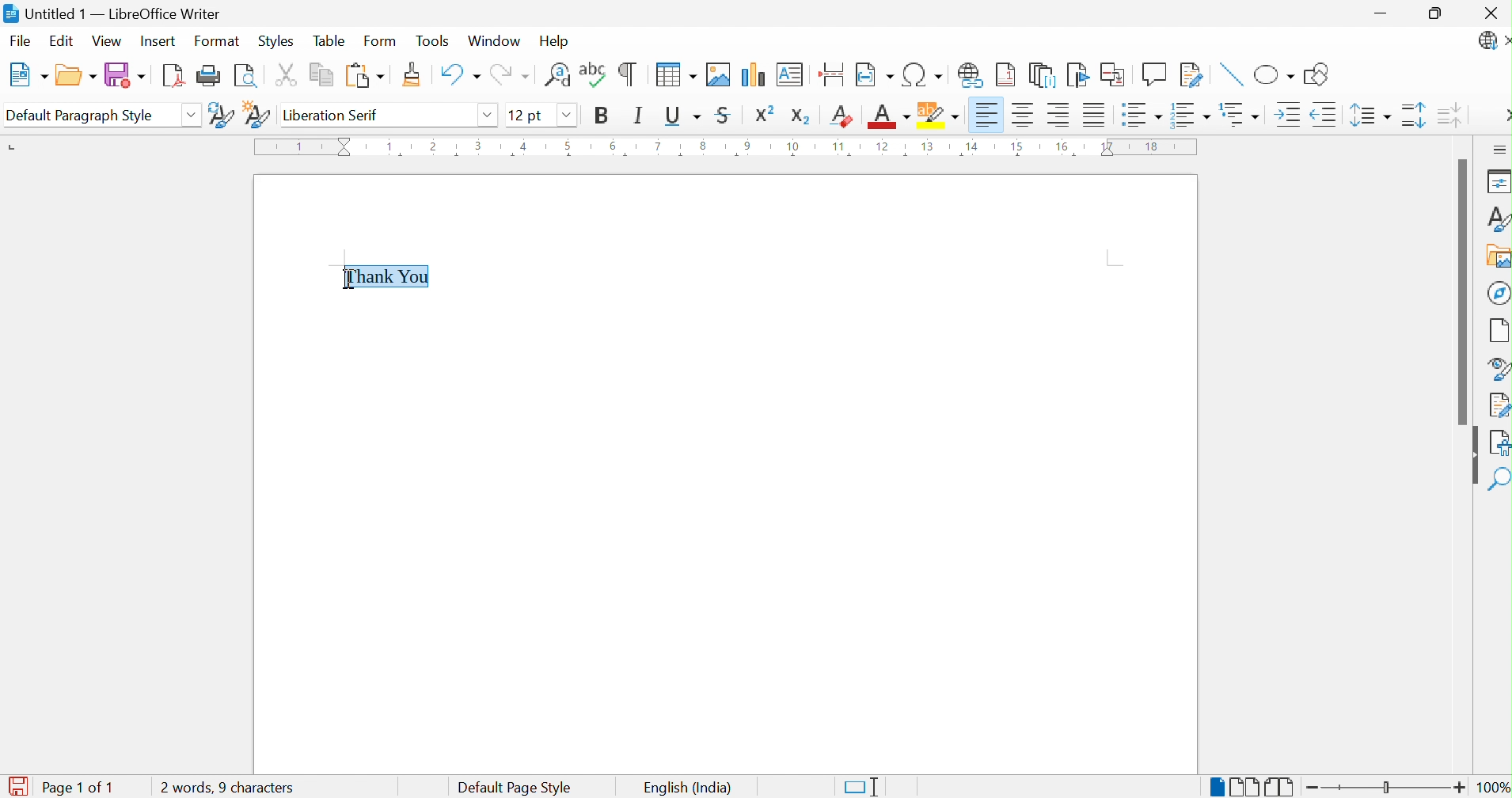 The width and height of the screenshot is (1512, 798). I want to click on Standard Selection. Click to change selection mode., so click(862, 785).